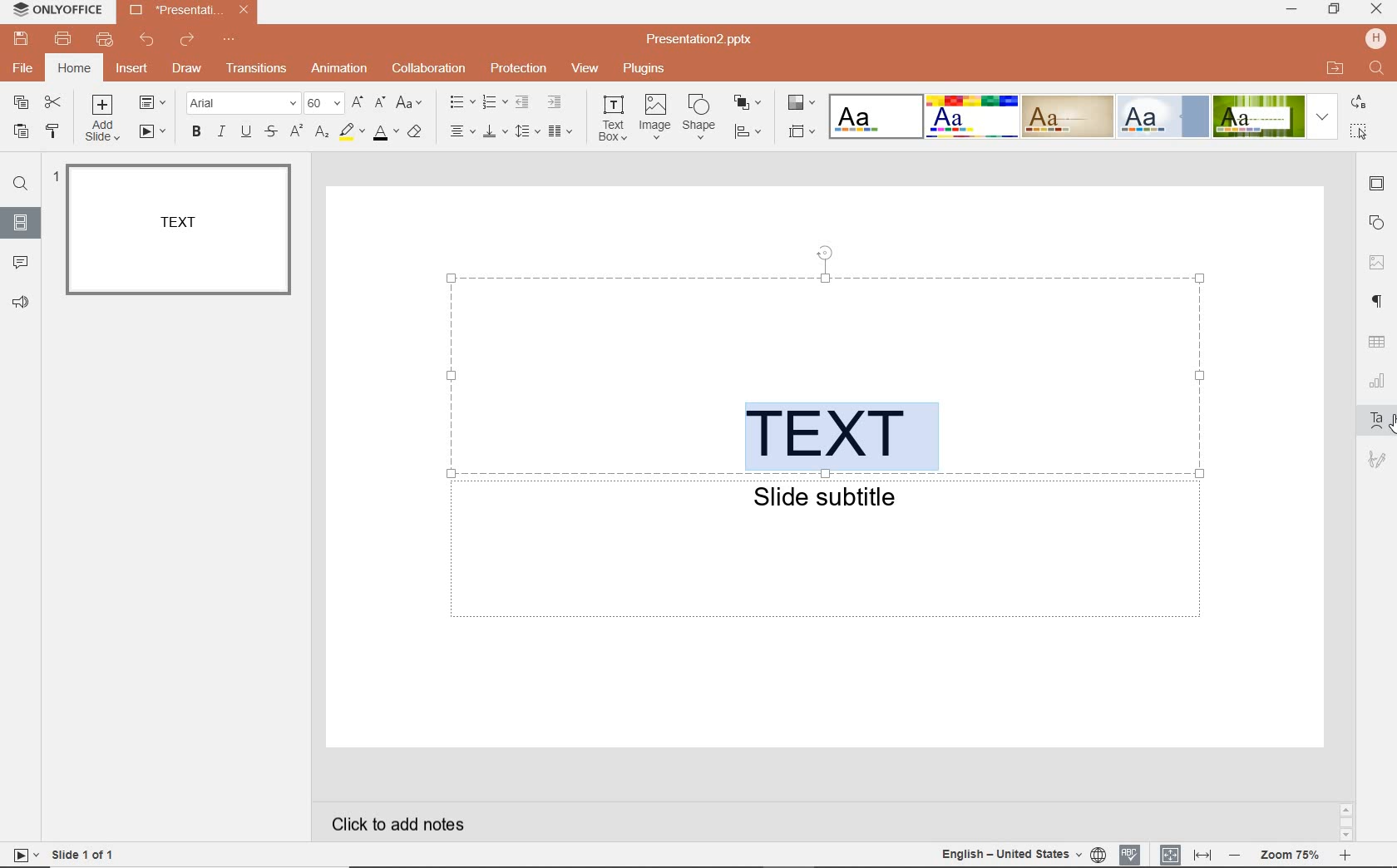 The image size is (1397, 868). I want to click on IMAGE SETTINGS, so click(1379, 259).